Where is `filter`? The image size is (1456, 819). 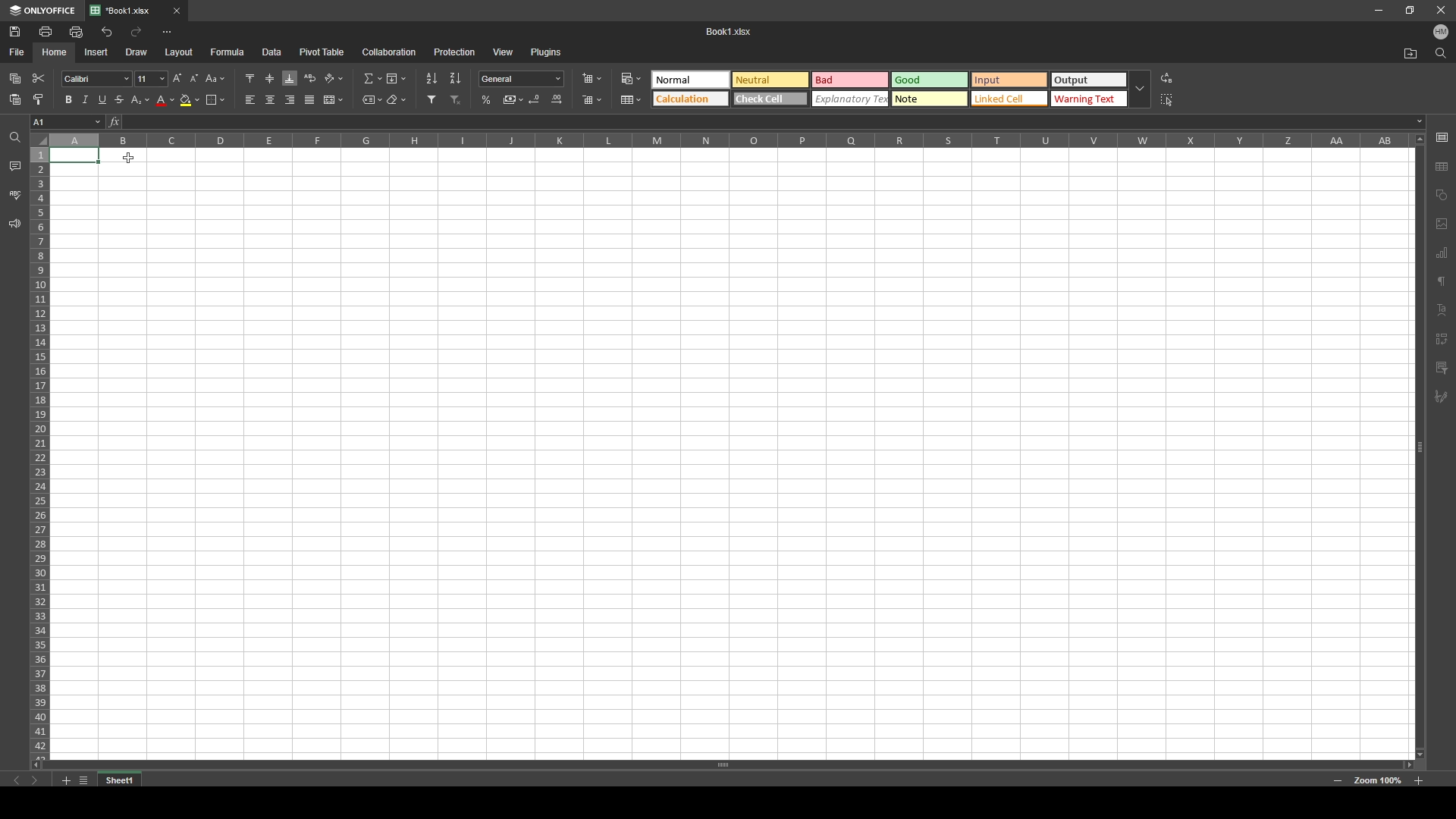
filter is located at coordinates (432, 99).